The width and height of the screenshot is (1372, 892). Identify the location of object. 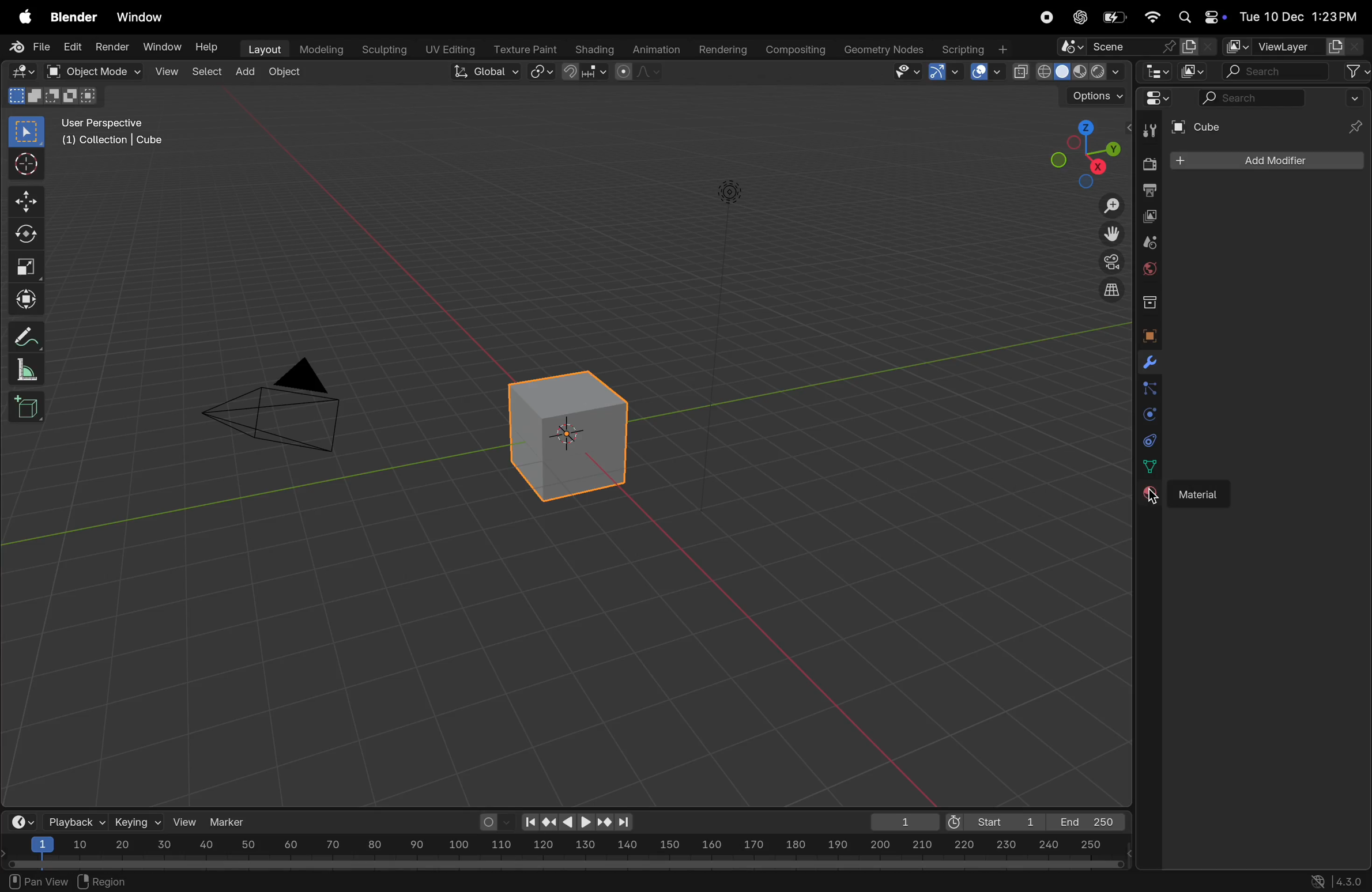
(285, 73).